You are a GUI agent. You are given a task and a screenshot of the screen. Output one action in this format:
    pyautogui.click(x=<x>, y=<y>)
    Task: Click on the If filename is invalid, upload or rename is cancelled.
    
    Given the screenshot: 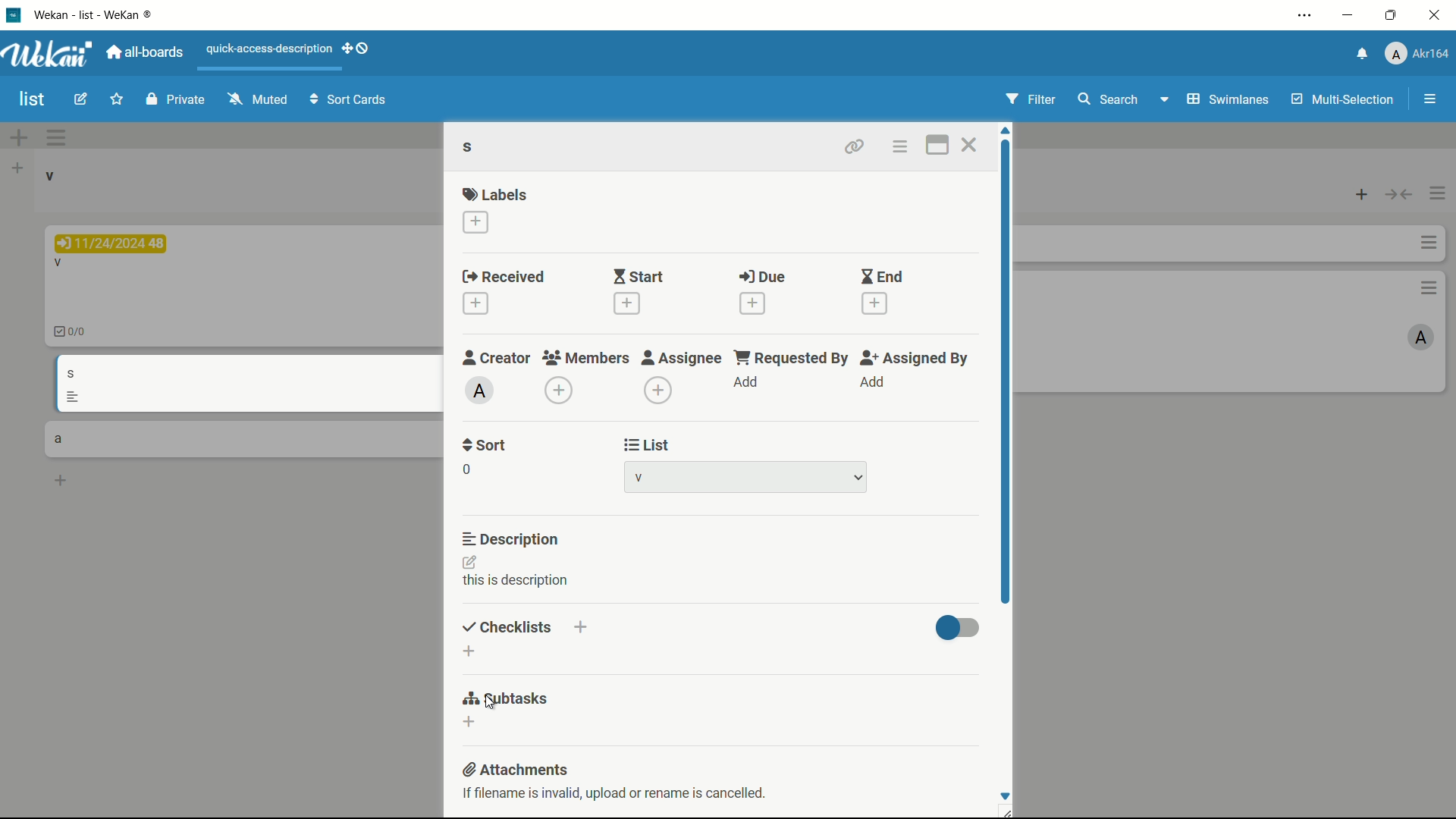 What is the action you would take?
    pyautogui.click(x=617, y=795)
    